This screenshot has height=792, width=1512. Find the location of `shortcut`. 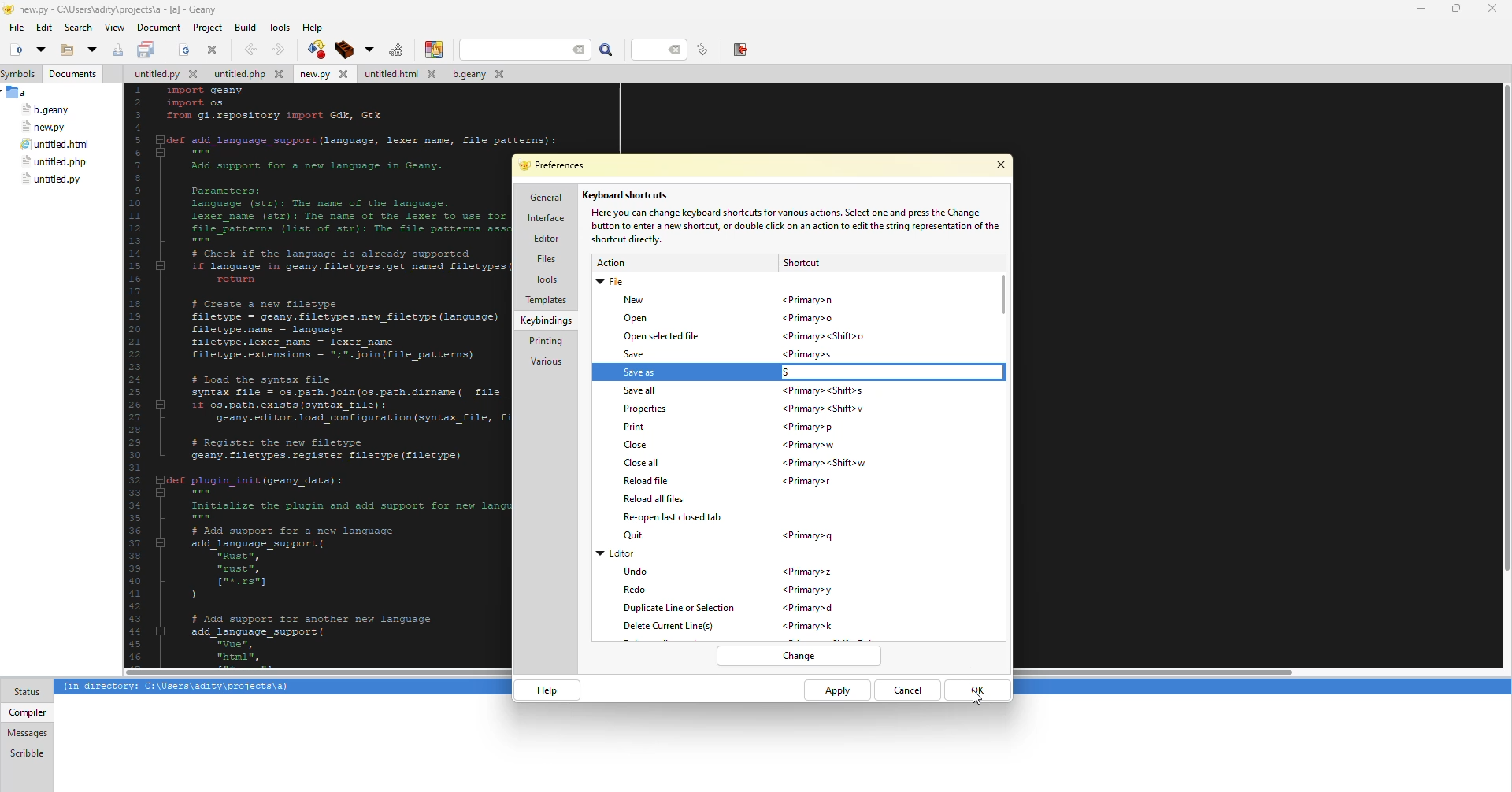

shortcut is located at coordinates (808, 354).